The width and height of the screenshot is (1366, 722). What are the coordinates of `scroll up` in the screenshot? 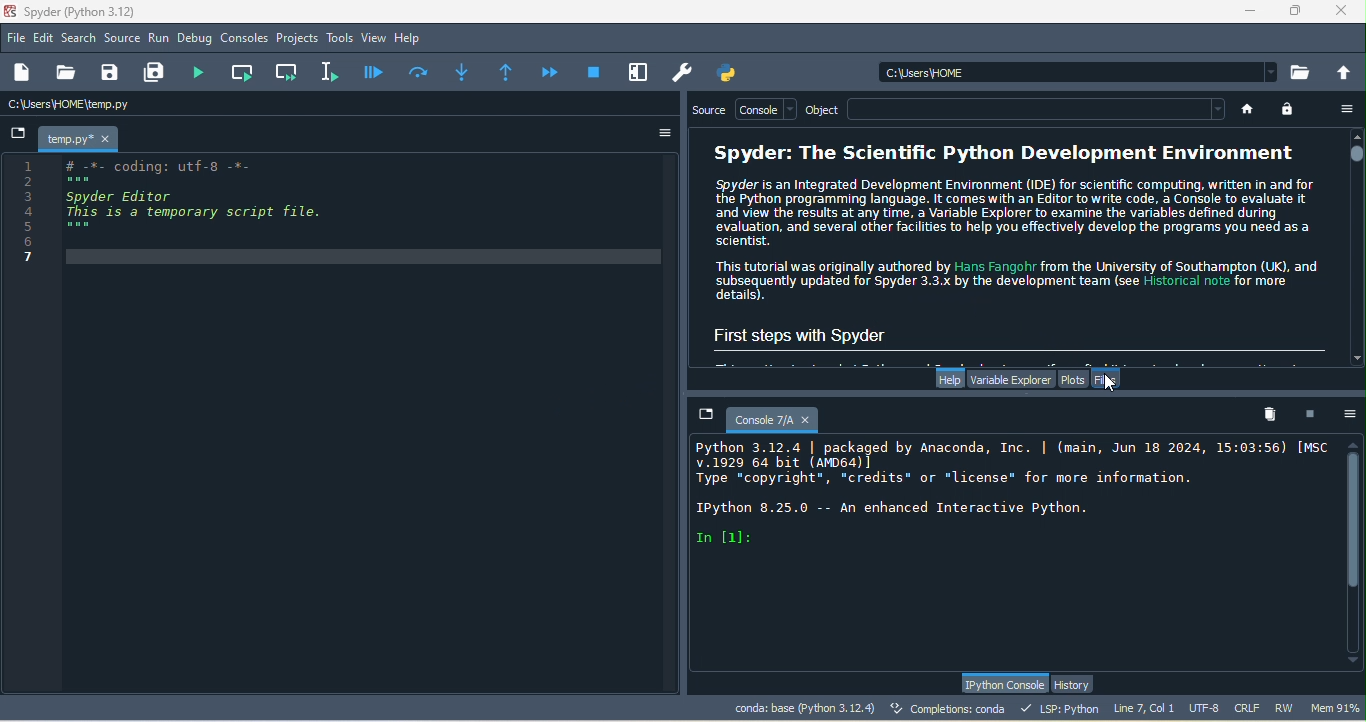 It's located at (1357, 135).